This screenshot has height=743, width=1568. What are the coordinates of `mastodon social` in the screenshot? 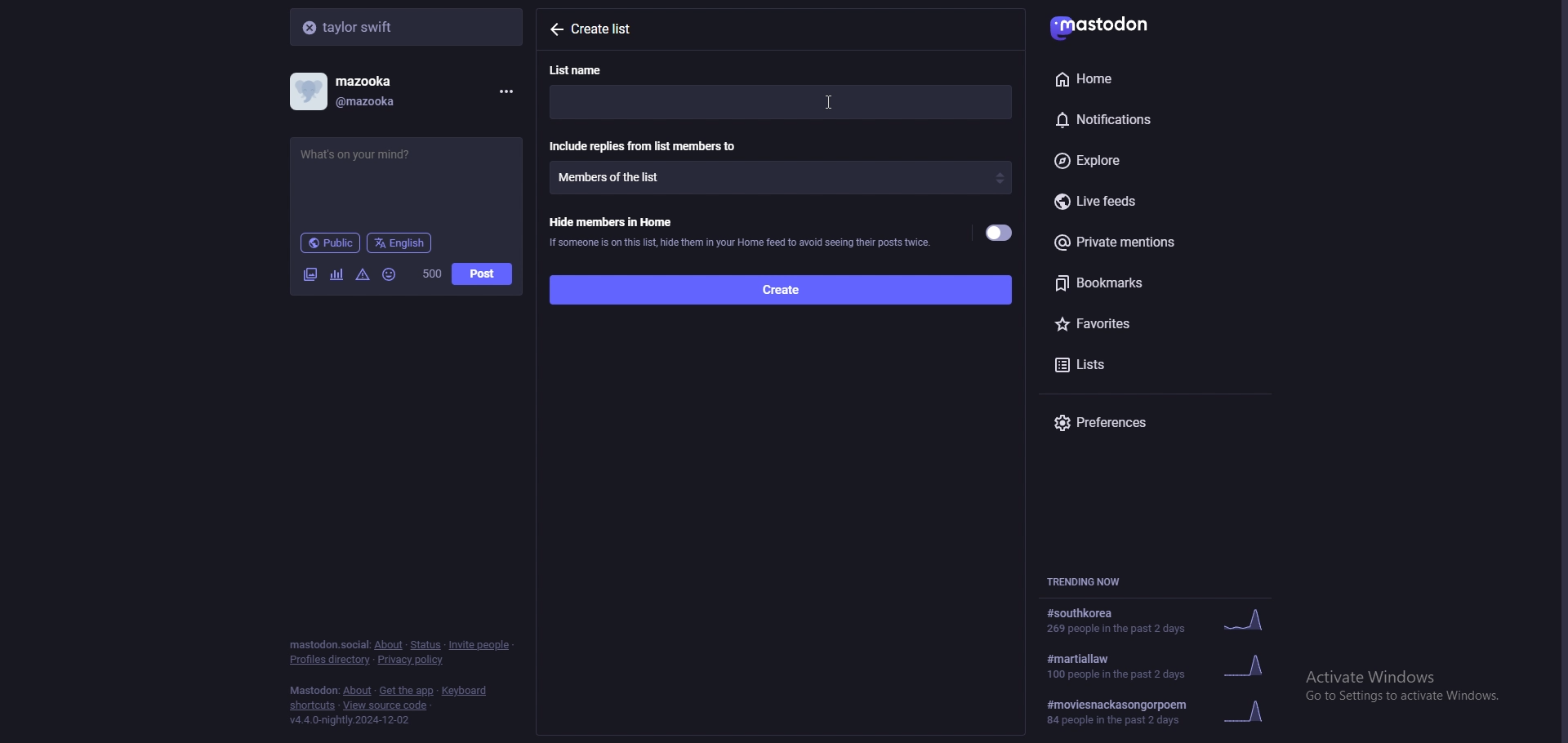 It's located at (328, 645).